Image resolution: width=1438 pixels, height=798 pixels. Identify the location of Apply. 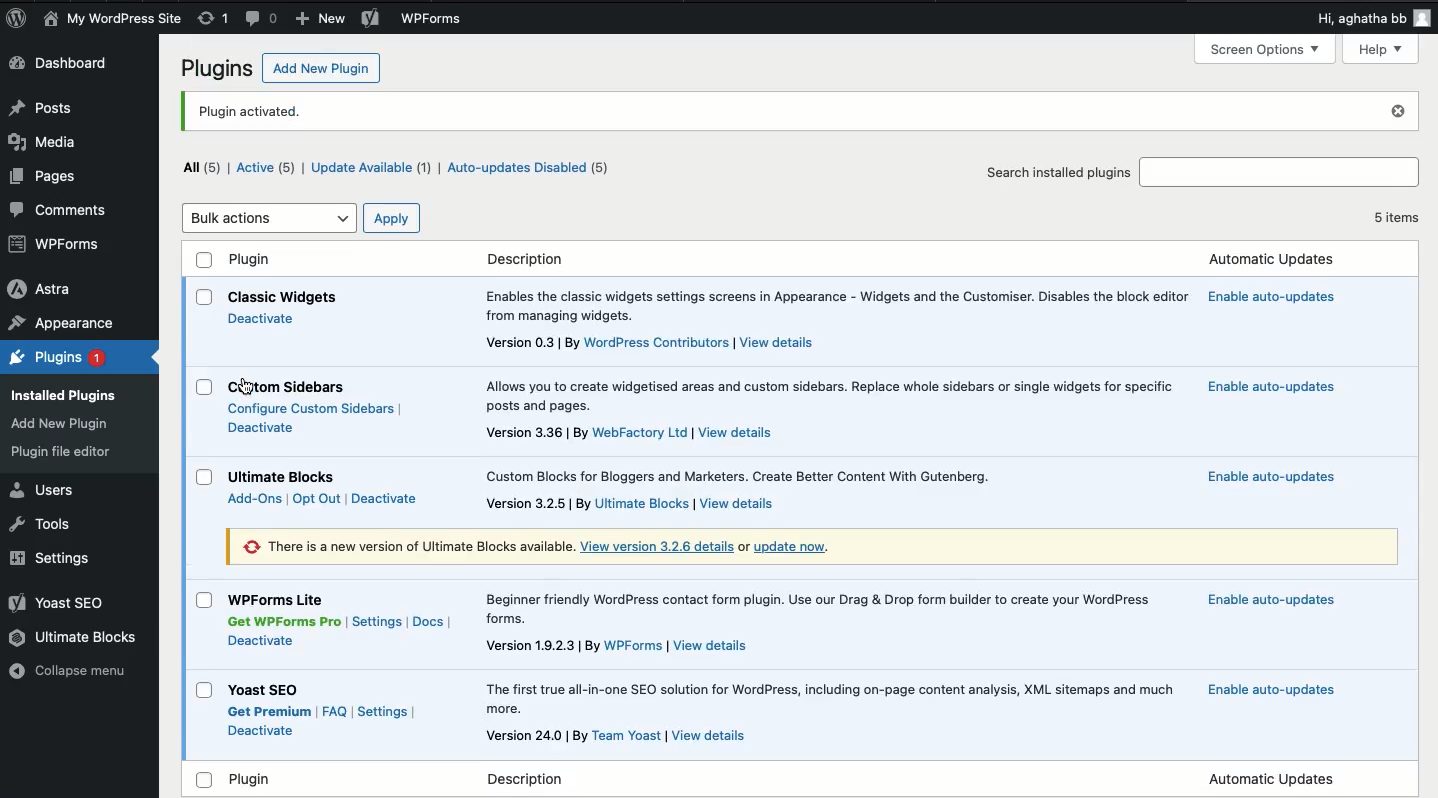
(391, 217).